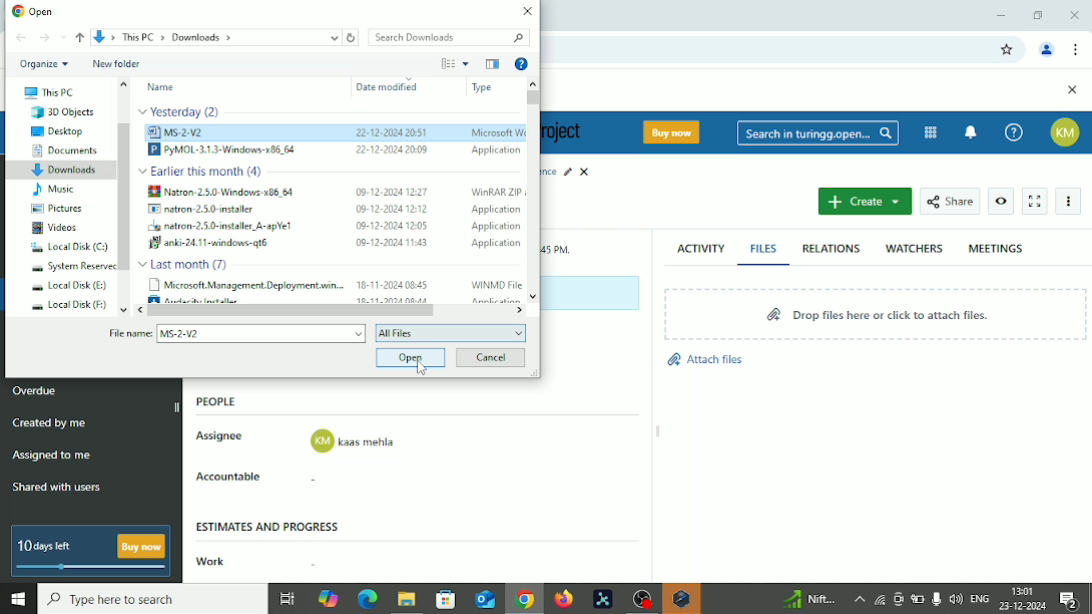 This screenshot has width=1092, height=614. What do you see at coordinates (1075, 600) in the screenshot?
I see `Notifications` at bounding box center [1075, 600].